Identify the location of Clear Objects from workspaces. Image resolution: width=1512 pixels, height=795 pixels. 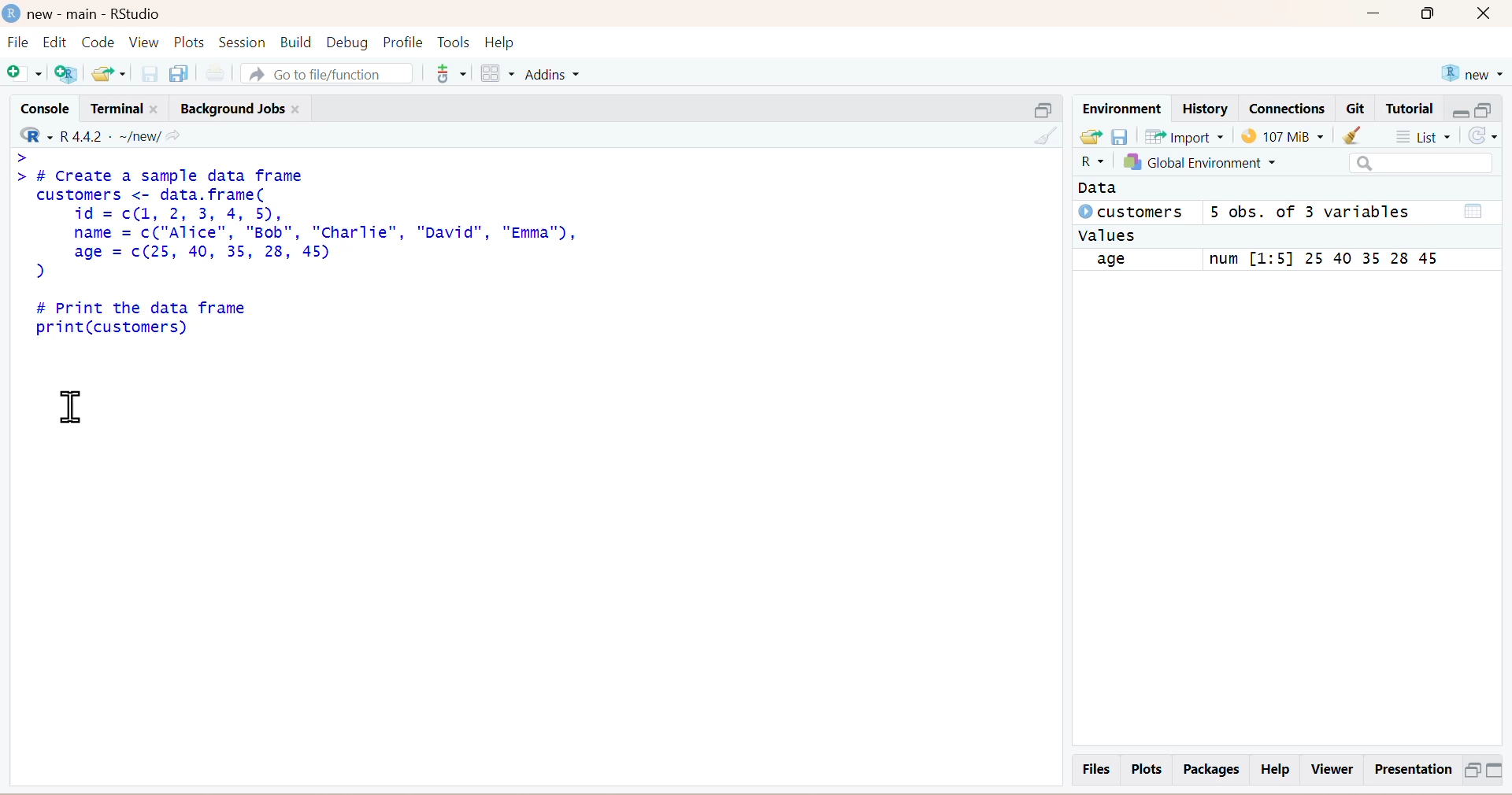
(1366, 136).